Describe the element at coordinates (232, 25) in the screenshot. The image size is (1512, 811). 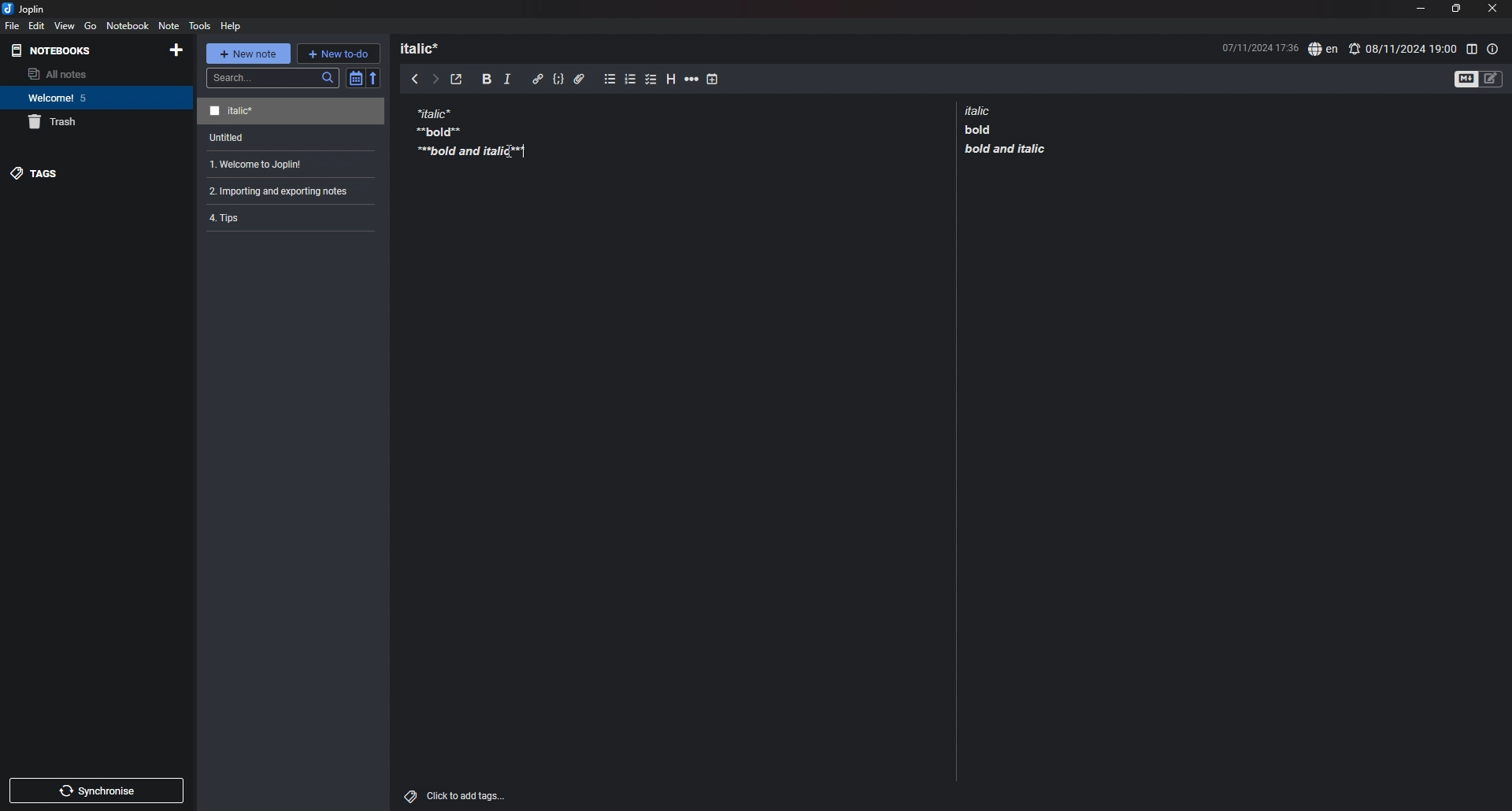
I see `help` at that location.